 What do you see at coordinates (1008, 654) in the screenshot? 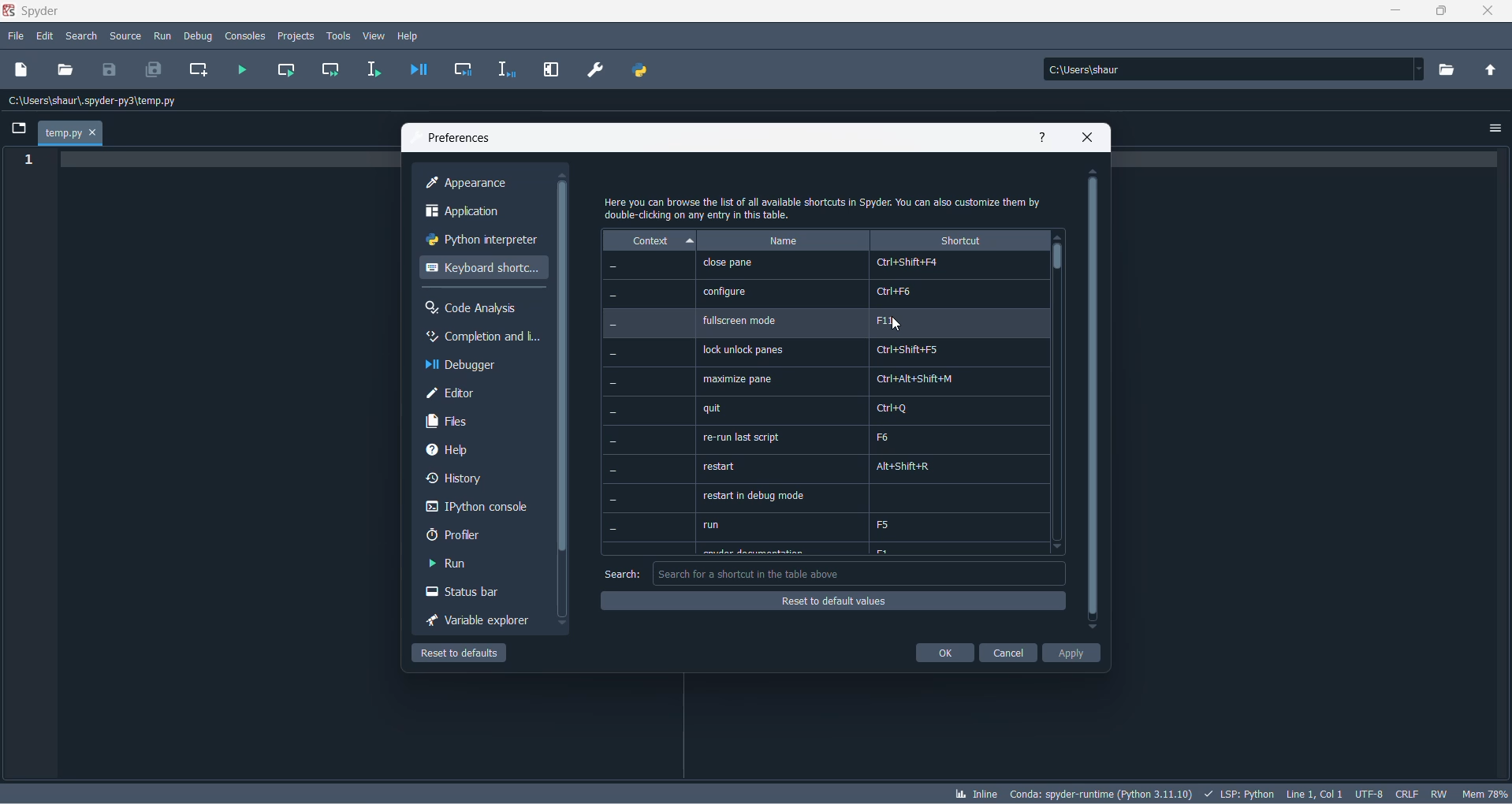
I see `cancel` at bounding box center [1008, 654].